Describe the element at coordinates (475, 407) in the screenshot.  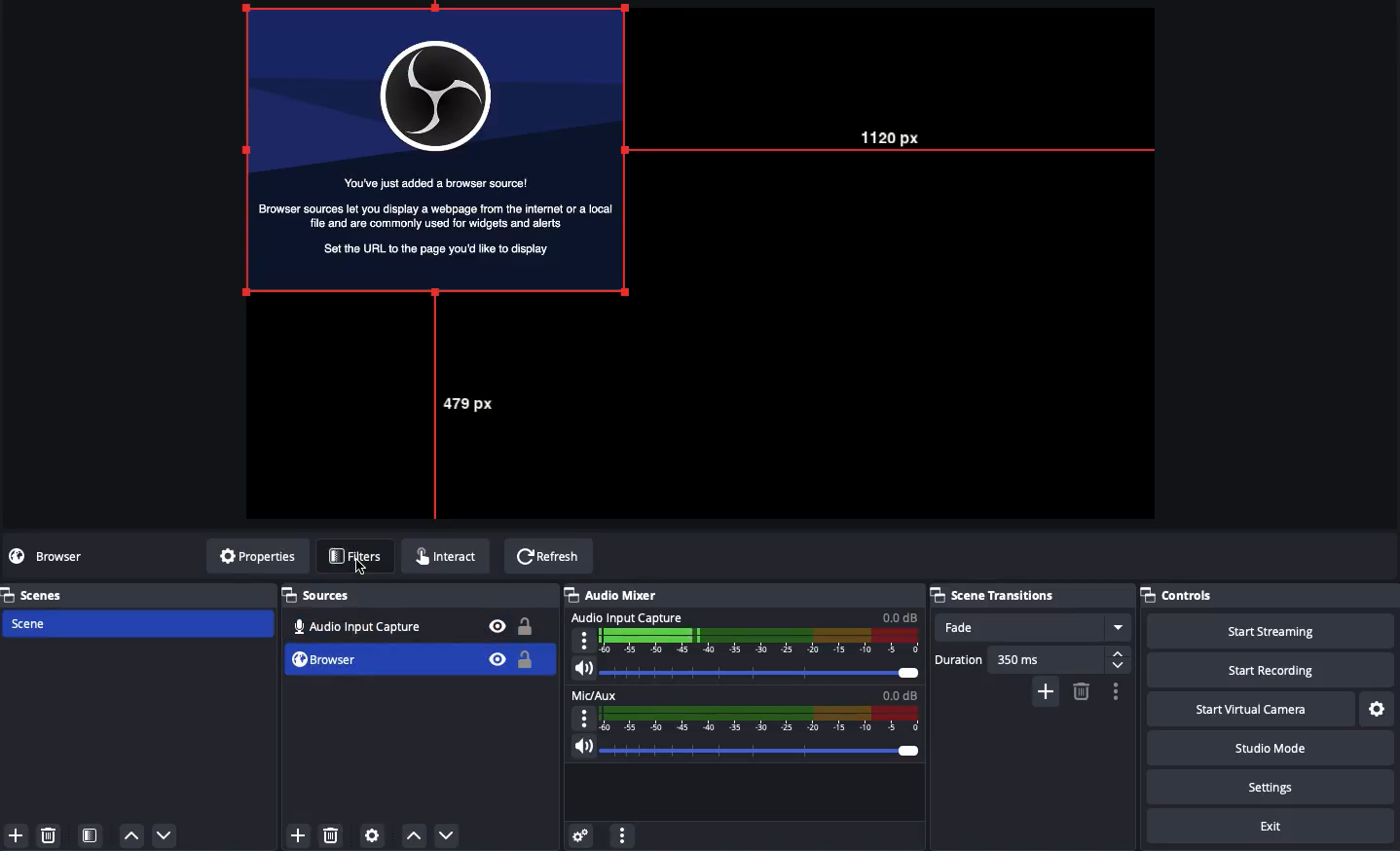
I see `497 px` at that location.